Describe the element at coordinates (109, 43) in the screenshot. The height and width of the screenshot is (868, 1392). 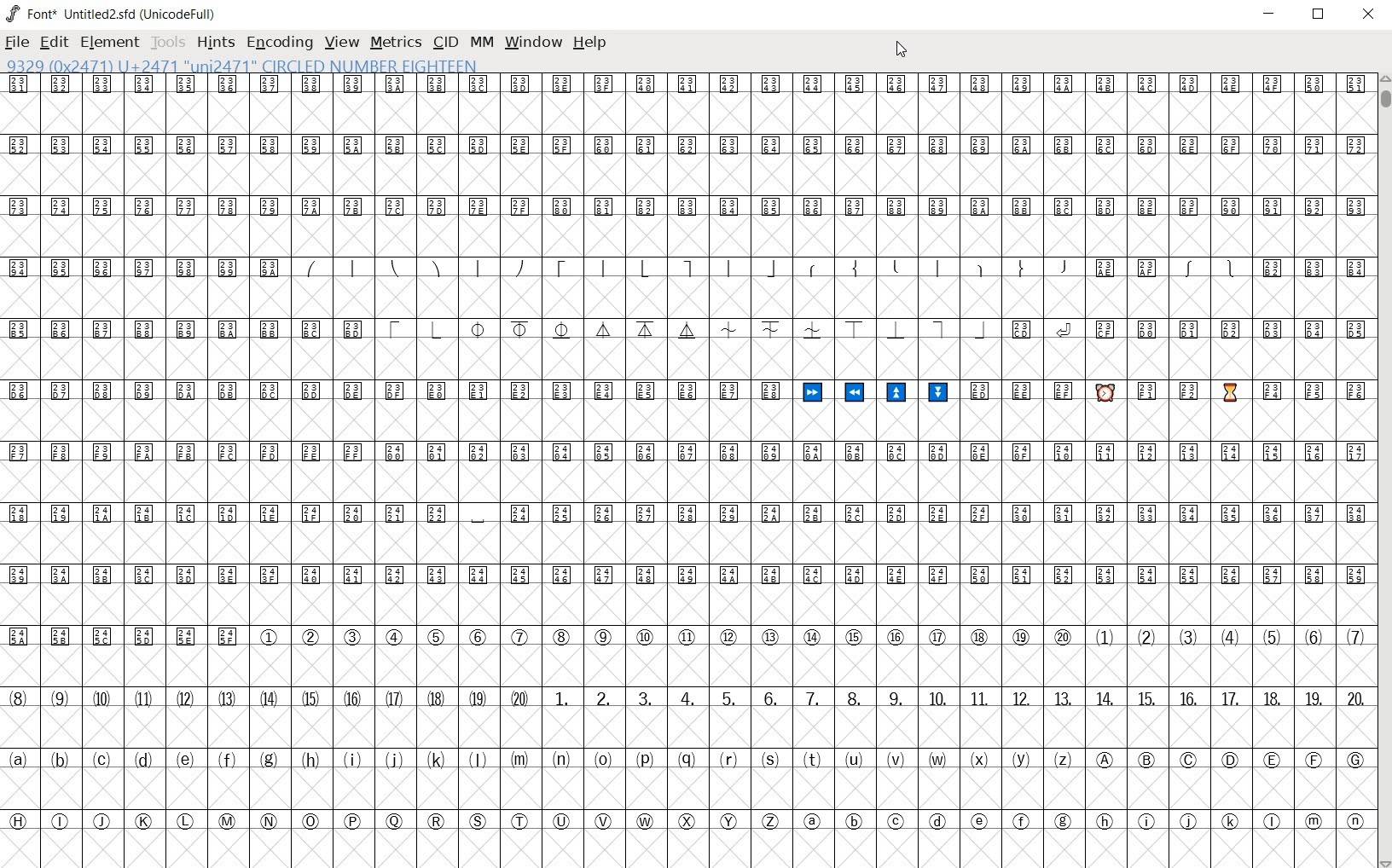
I see `element` at that location.